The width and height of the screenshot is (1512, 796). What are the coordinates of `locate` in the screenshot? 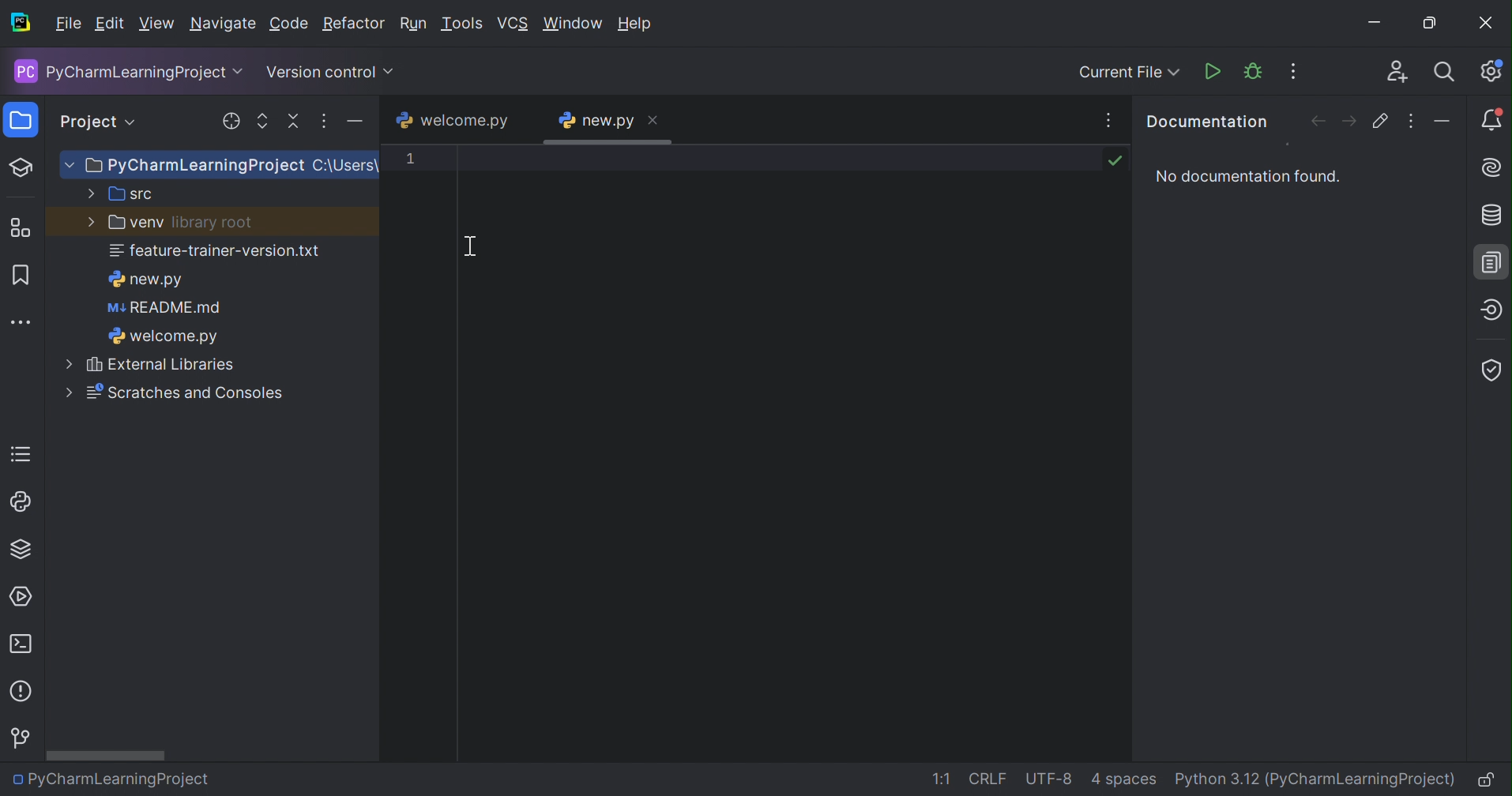 It's located at (228, 122).